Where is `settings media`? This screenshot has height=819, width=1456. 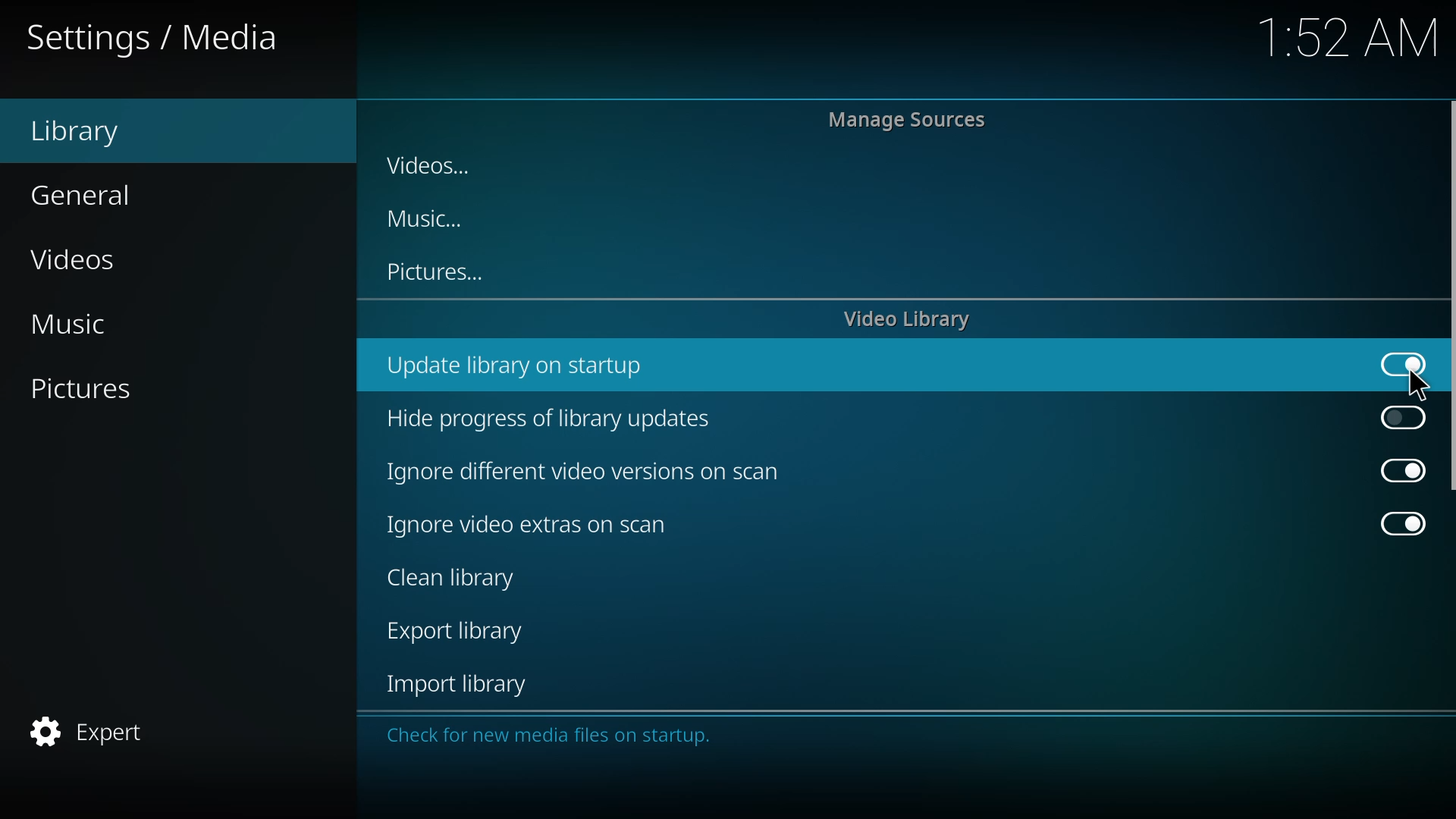 settings media is located at coordinates (156, 35).